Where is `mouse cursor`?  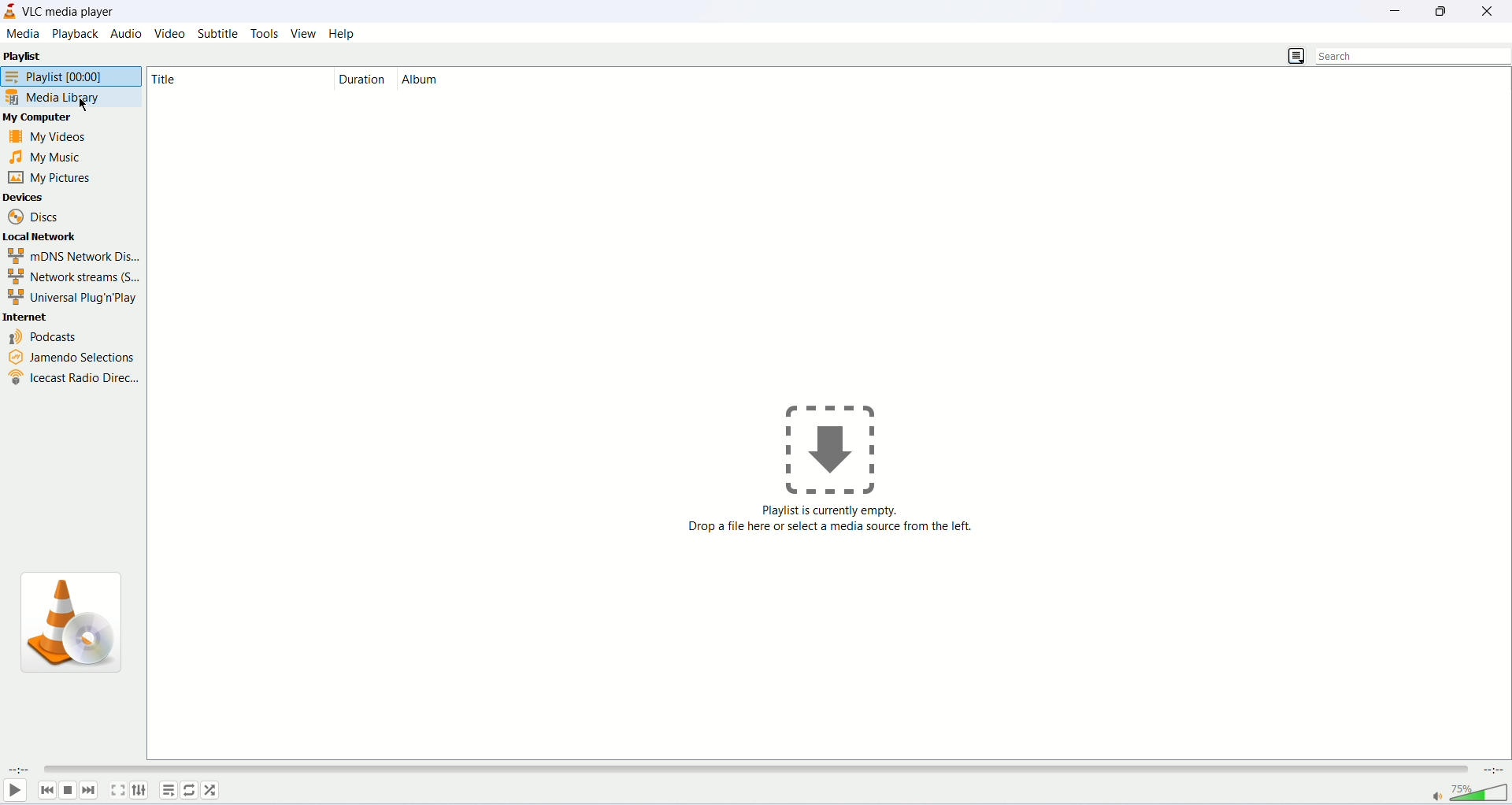
mouse cursor is located at coordinates (83, 105).